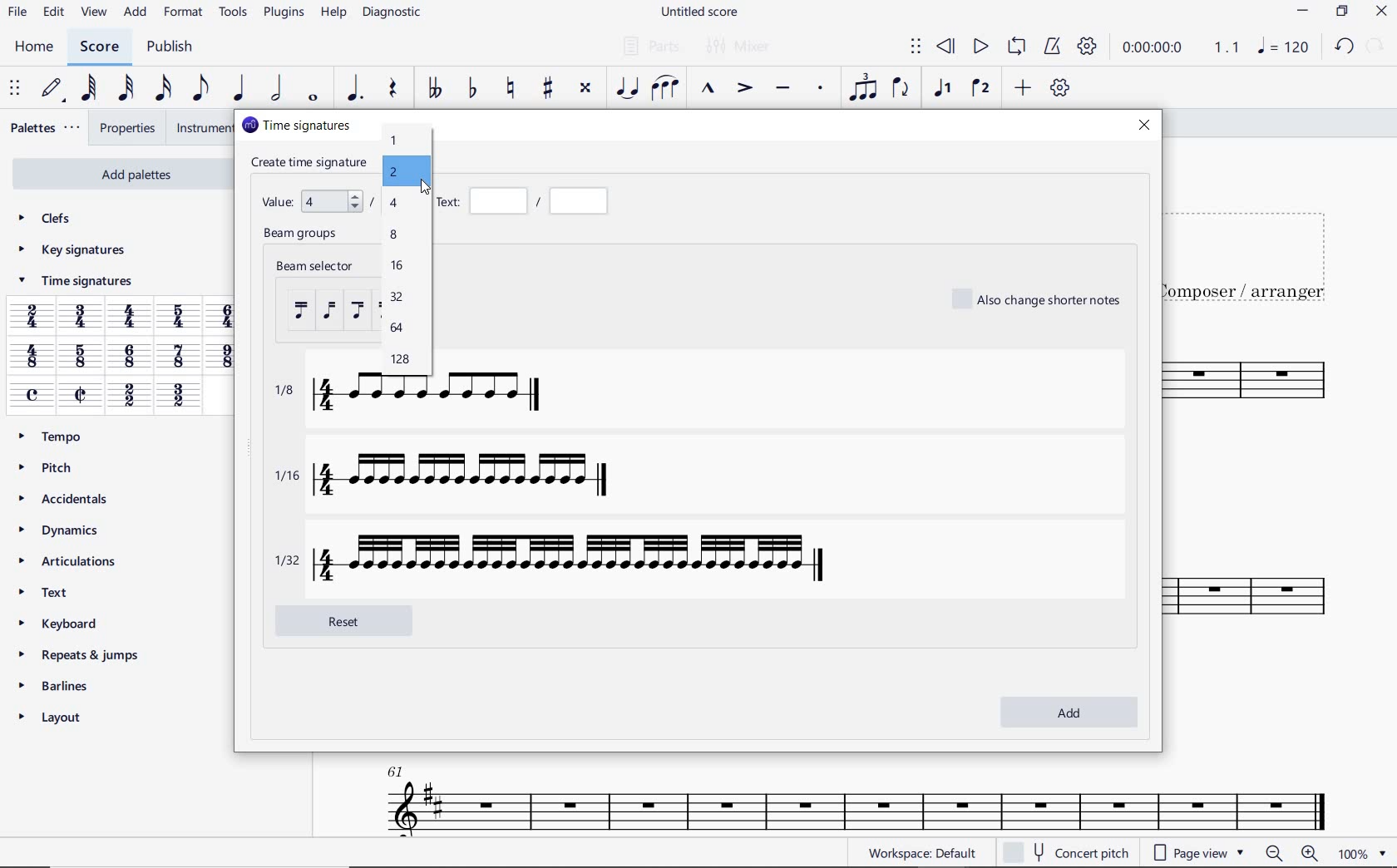 The height and width of the screenshot is (868, 1397). Describe the element at coordinates (49, 467) in the screenshot. I see `PITCH` at that location.